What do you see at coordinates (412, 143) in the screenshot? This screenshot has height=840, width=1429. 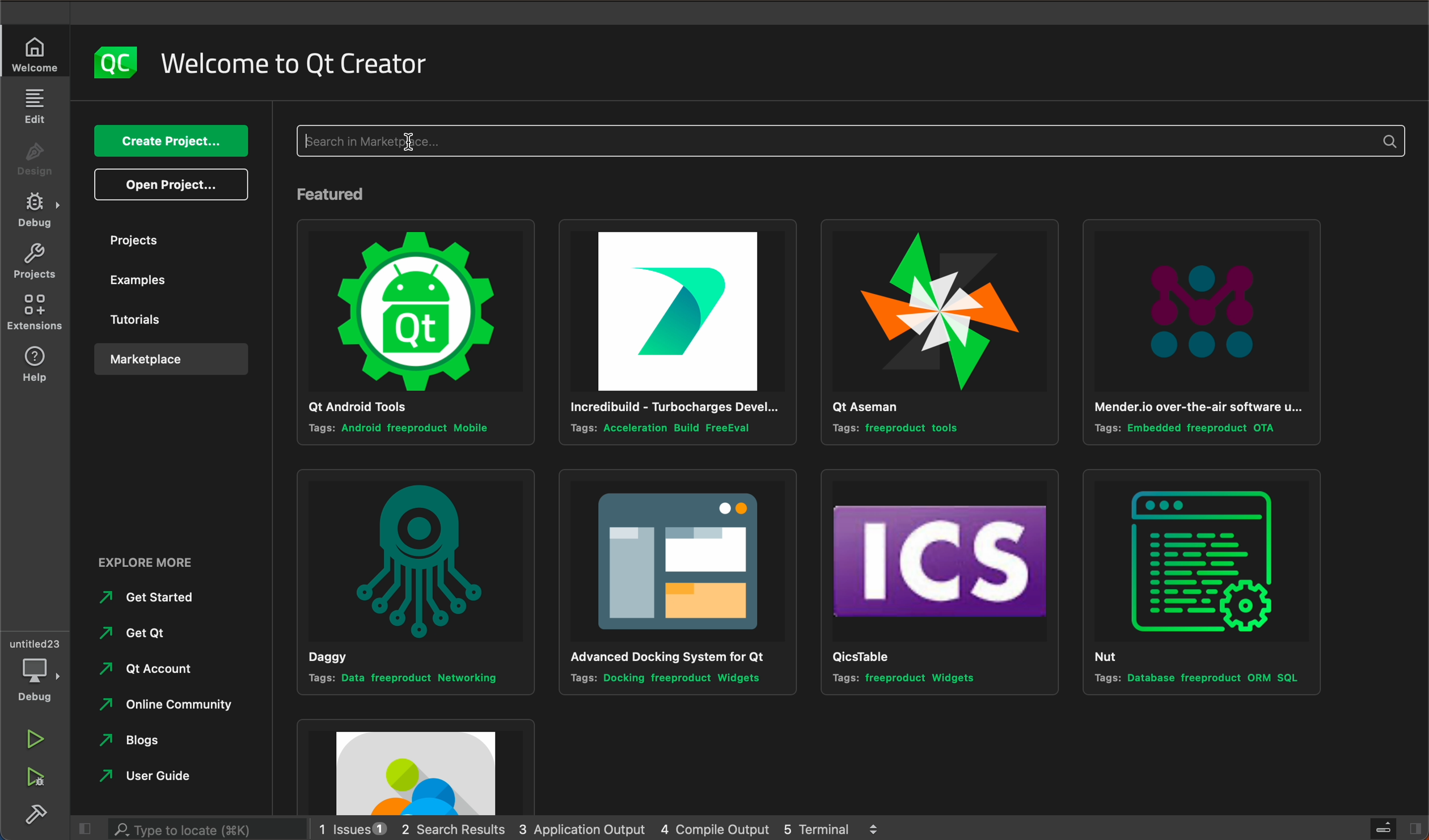 I see `mouse pointer` at bounding box center [412, 143].